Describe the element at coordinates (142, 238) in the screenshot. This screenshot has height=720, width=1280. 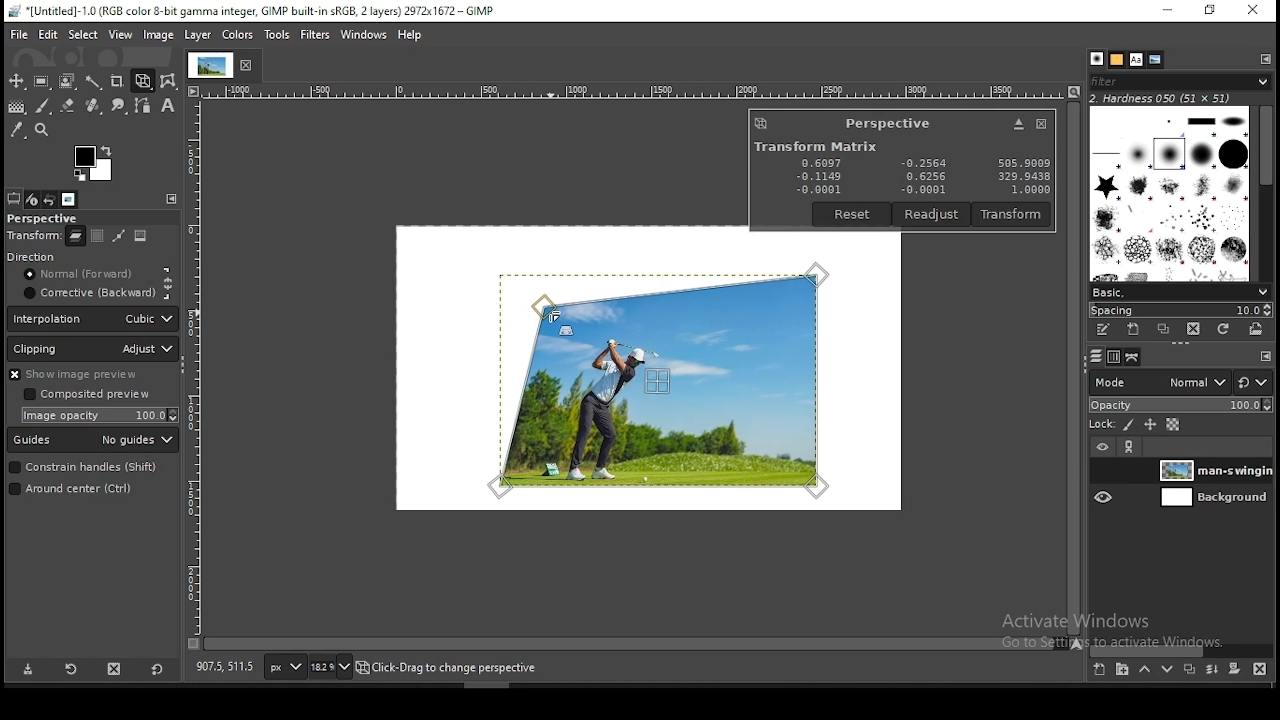
I see `image` at that location.